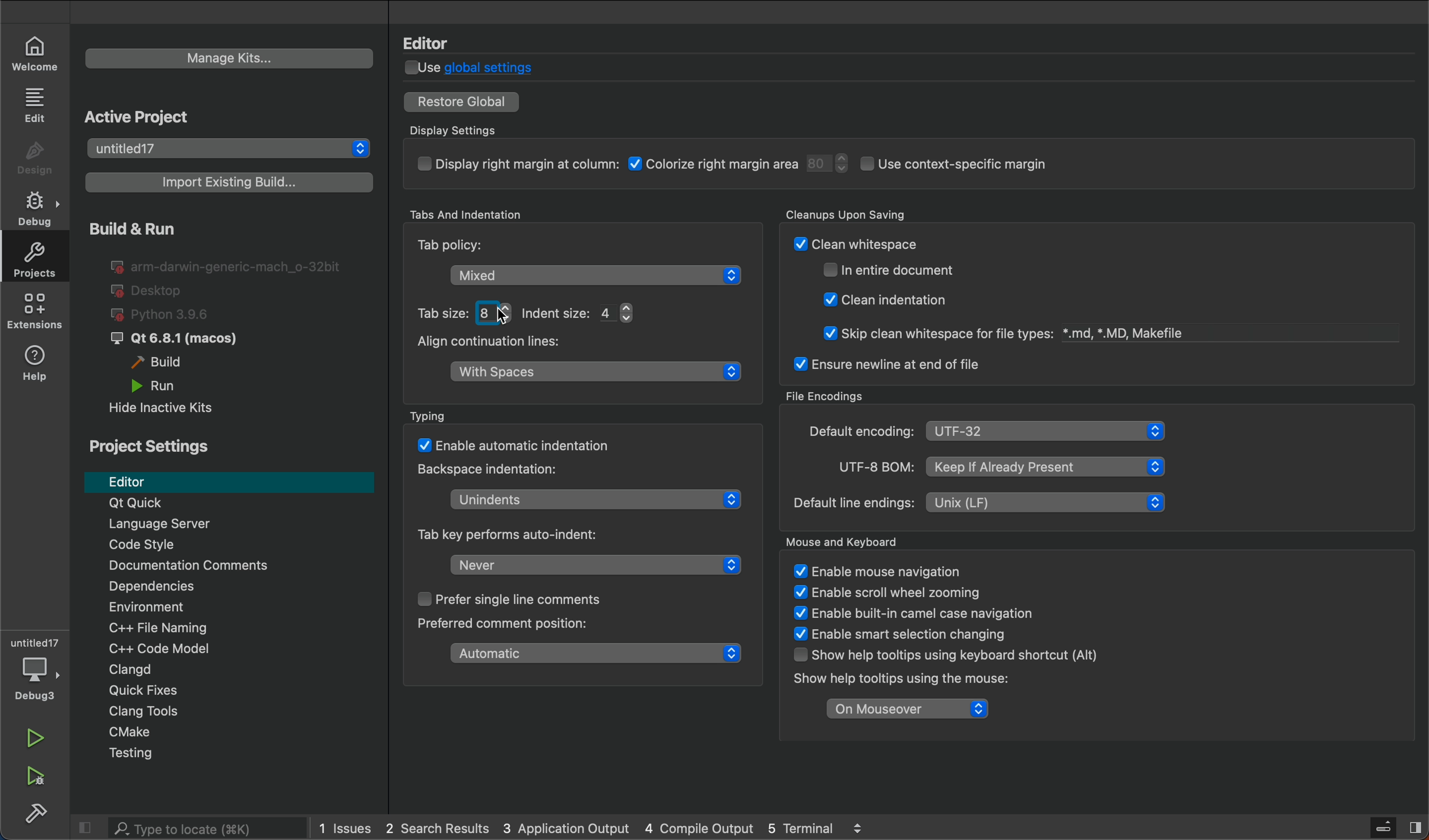 The image size is (1429, 840). I want to click on code modal, so click(241, 650).